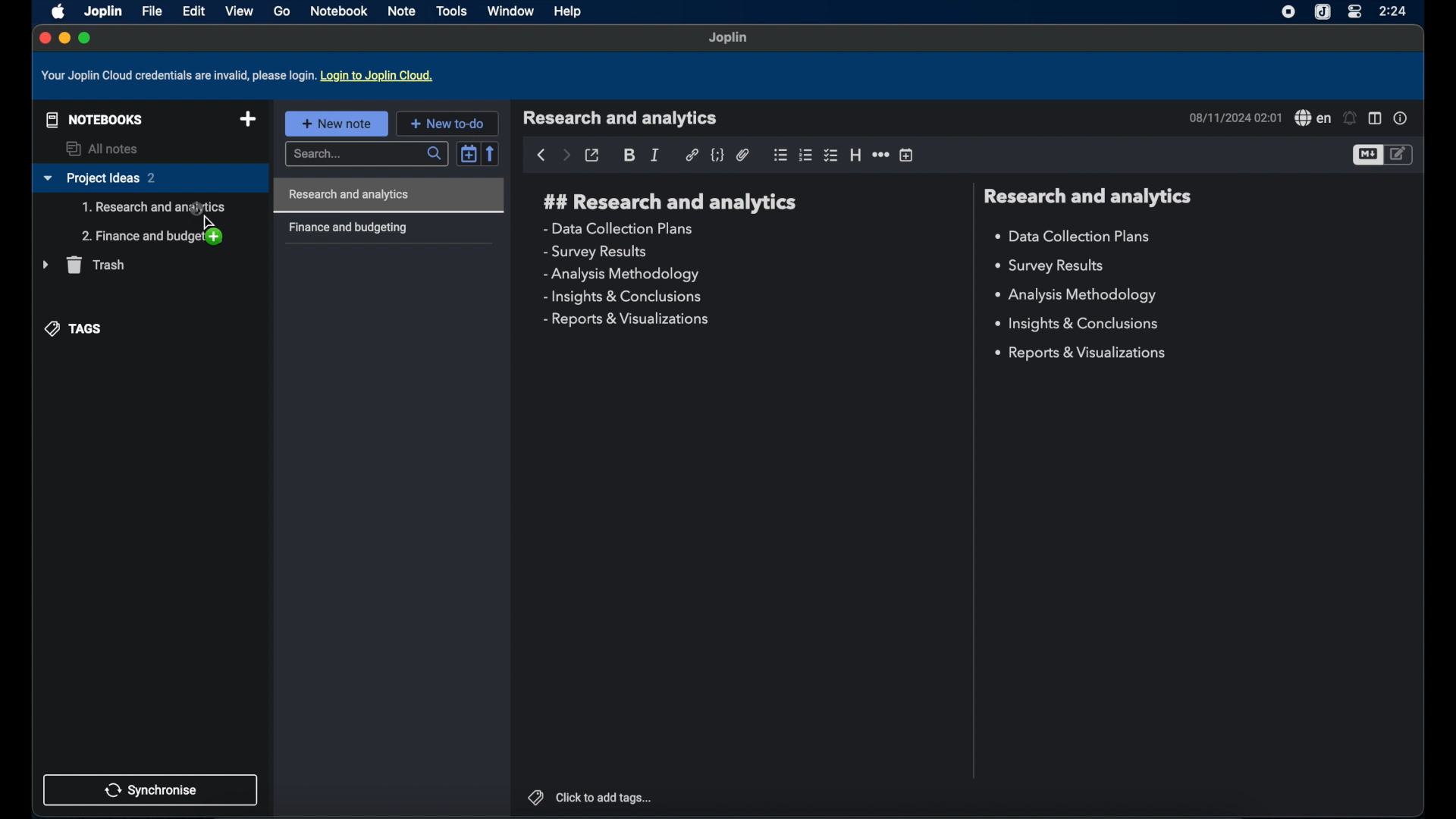 The image size is (1456, 819). Describe the element at coordinates (452, 11) in the screenshot. I see `tools` at that location.